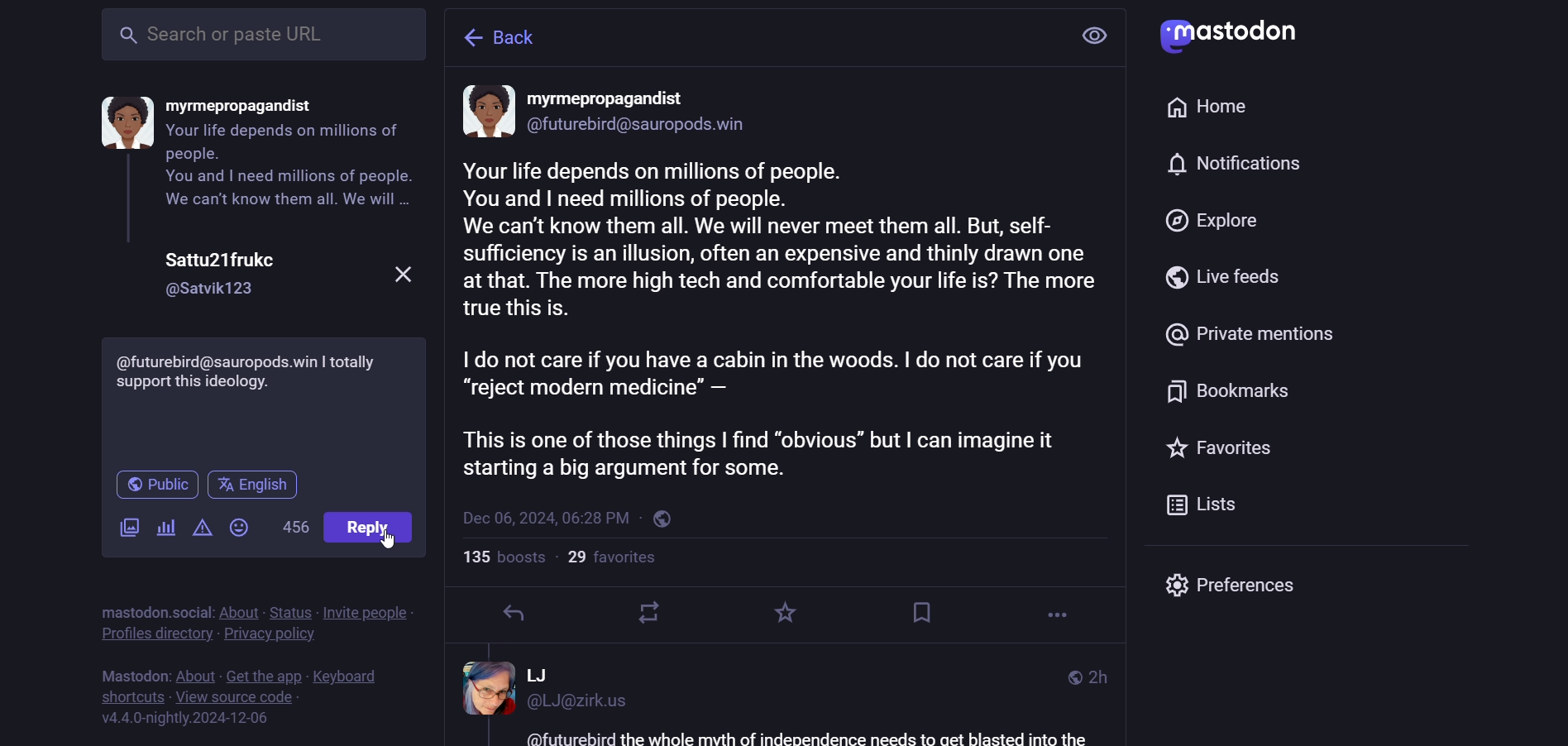 This screenshot has width=1568, height=746. I want to click on last modified, so click(545, 519).